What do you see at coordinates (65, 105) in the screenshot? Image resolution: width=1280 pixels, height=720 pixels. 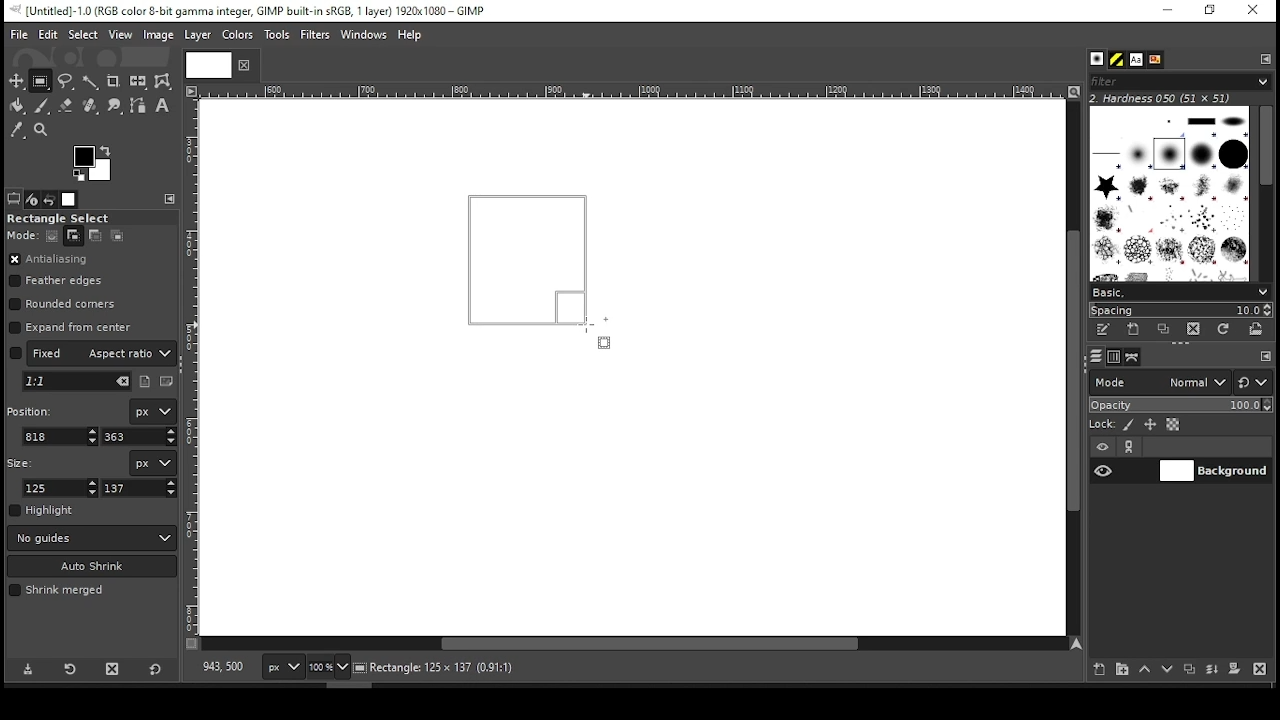 I see `eraser tool` at bounding box center [65, 105].